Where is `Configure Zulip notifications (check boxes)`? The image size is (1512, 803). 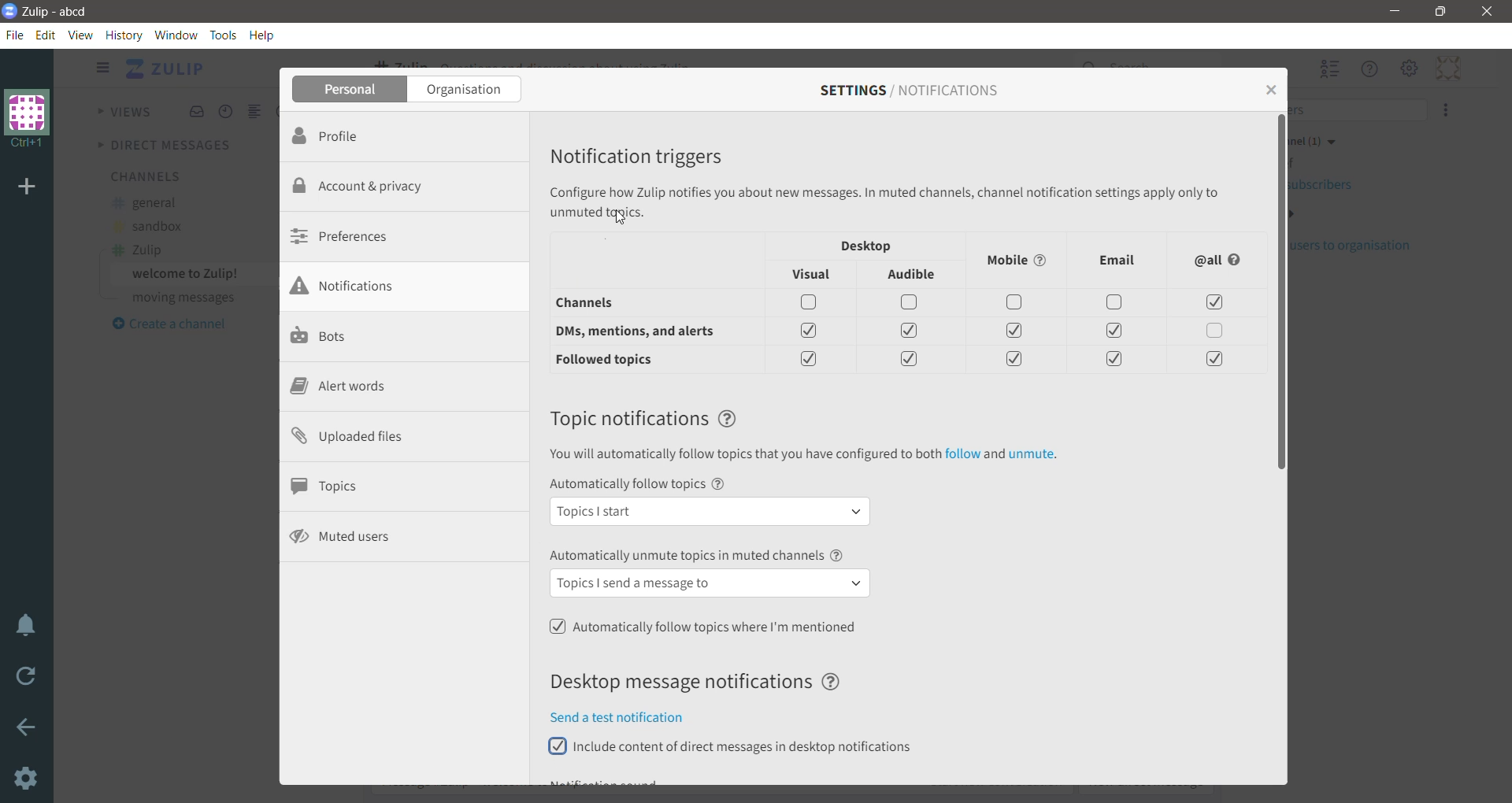
Configure Zulip notifications (check boxes) is located at coordinates (888, 202).